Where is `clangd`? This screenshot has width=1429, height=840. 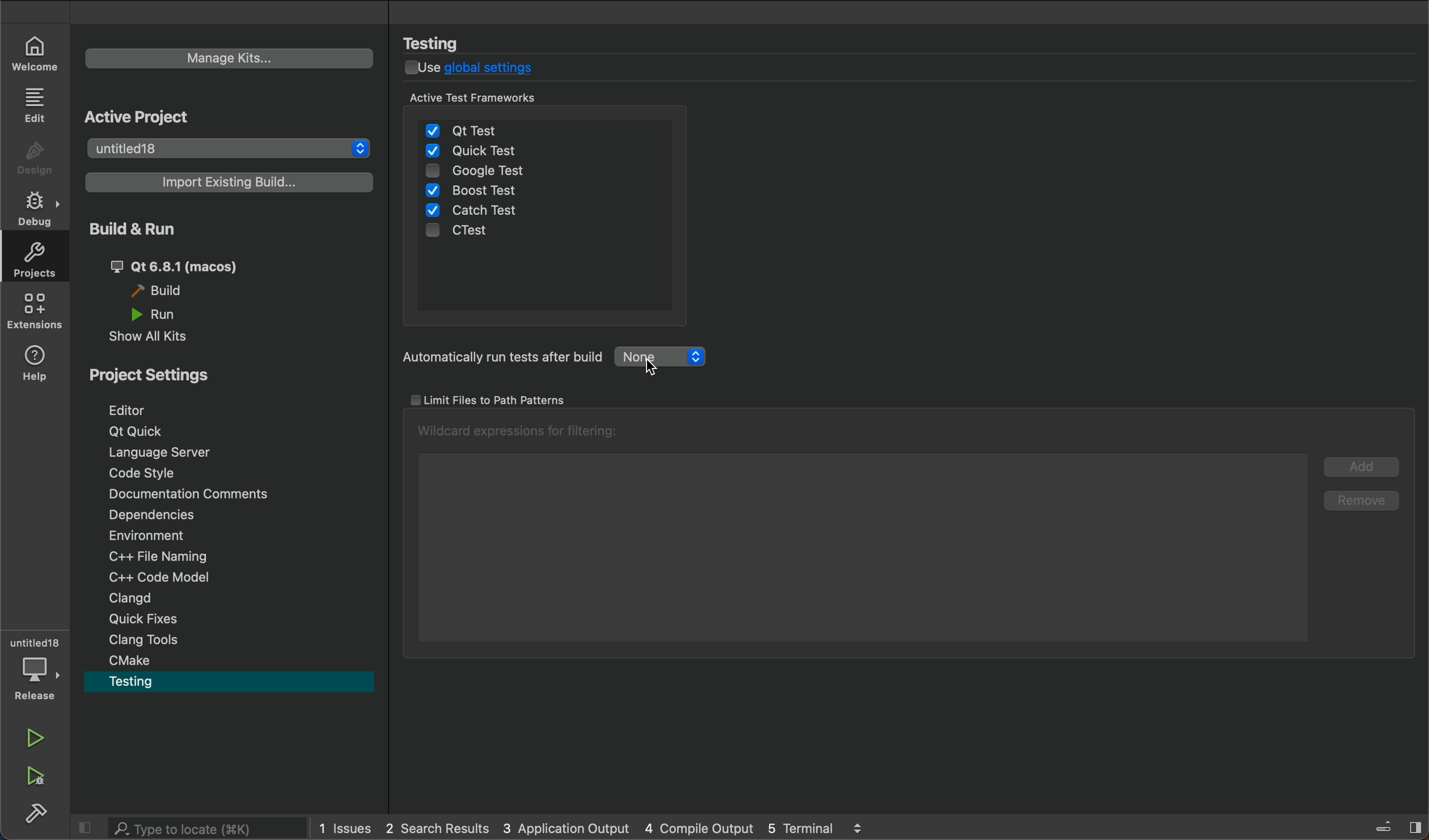
clangd is located at coordinates (152, 597).